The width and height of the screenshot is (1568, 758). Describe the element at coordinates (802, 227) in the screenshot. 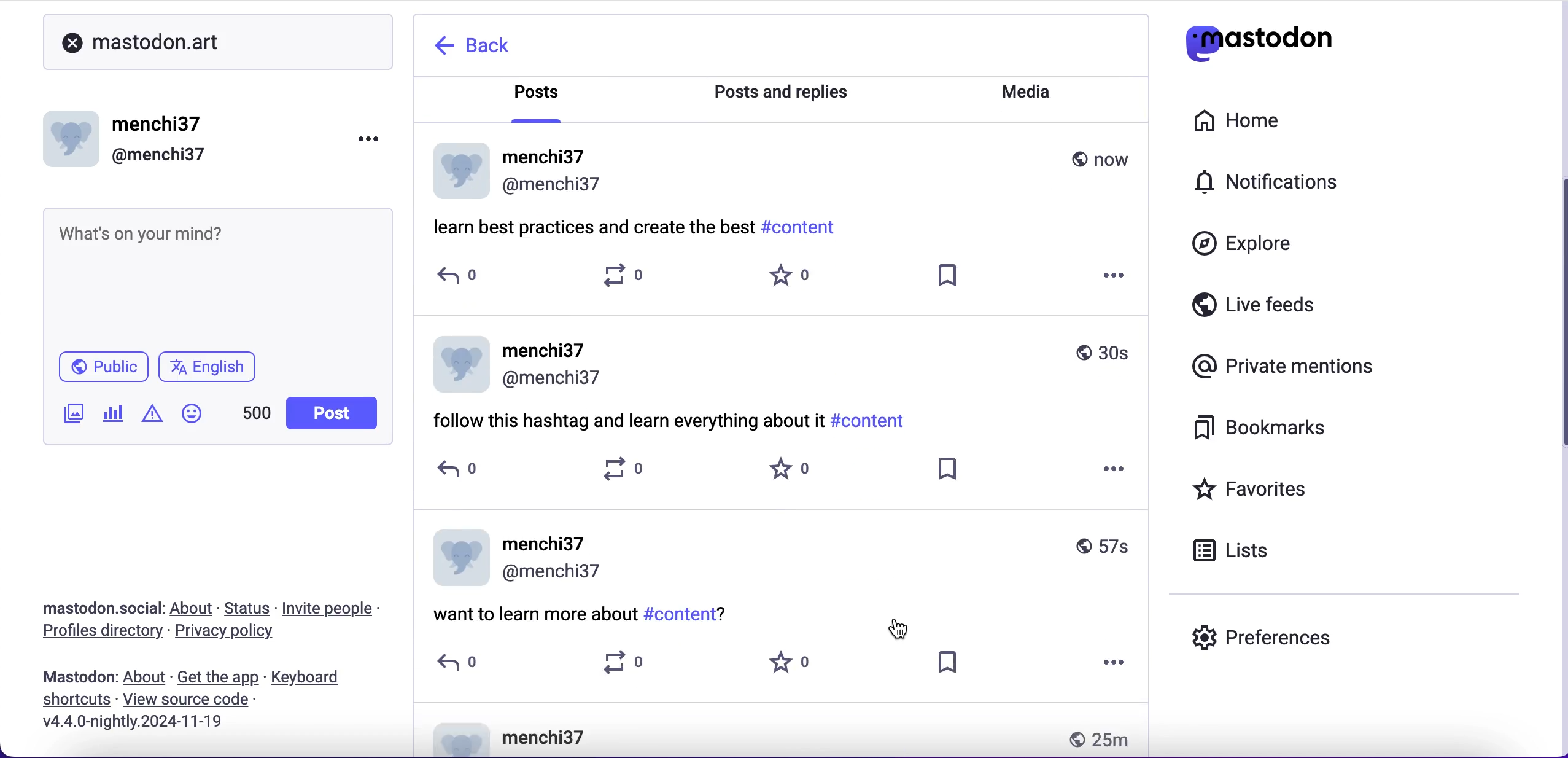

I see `#content` at that location.